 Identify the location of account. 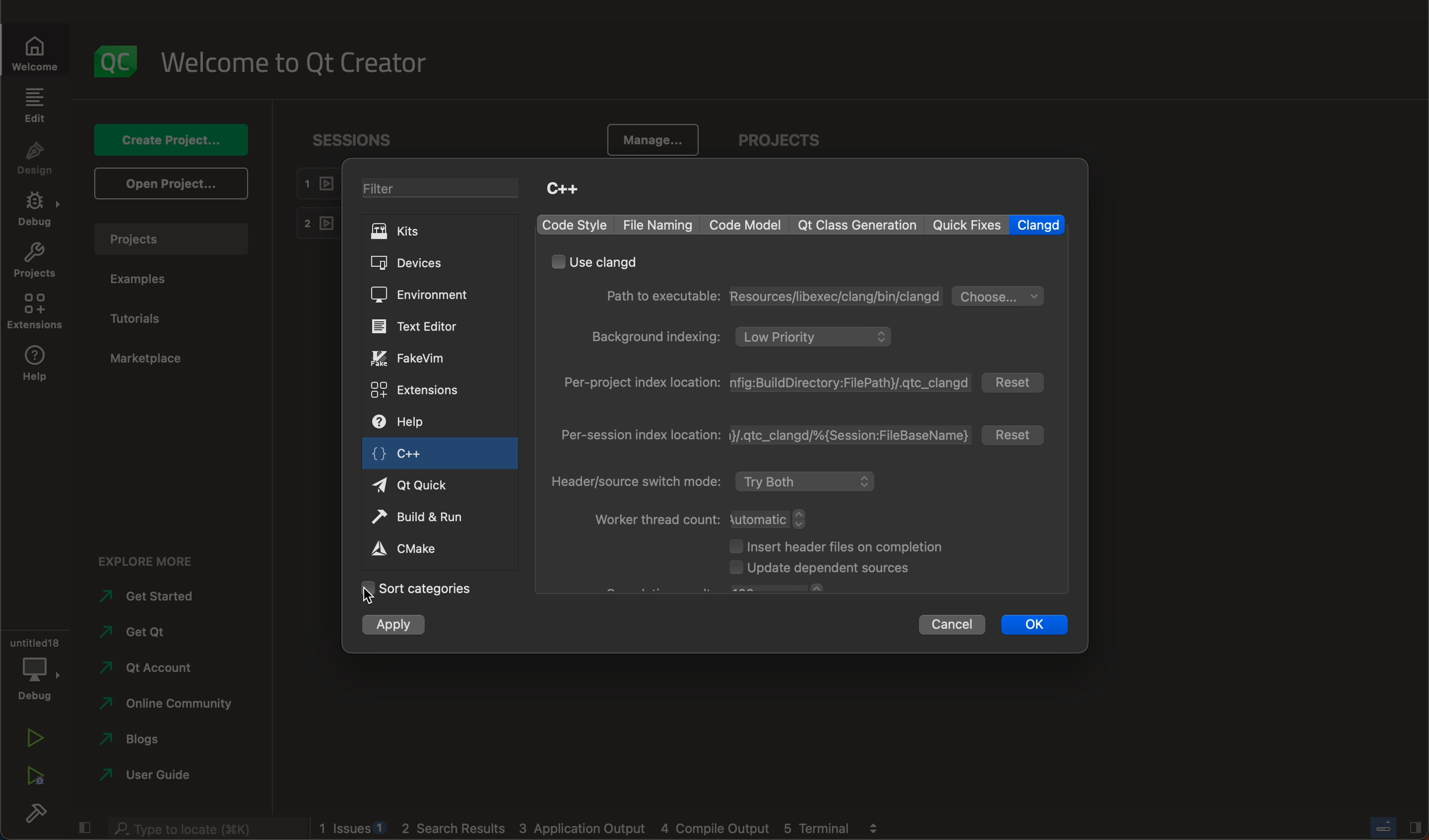
(153, 667).